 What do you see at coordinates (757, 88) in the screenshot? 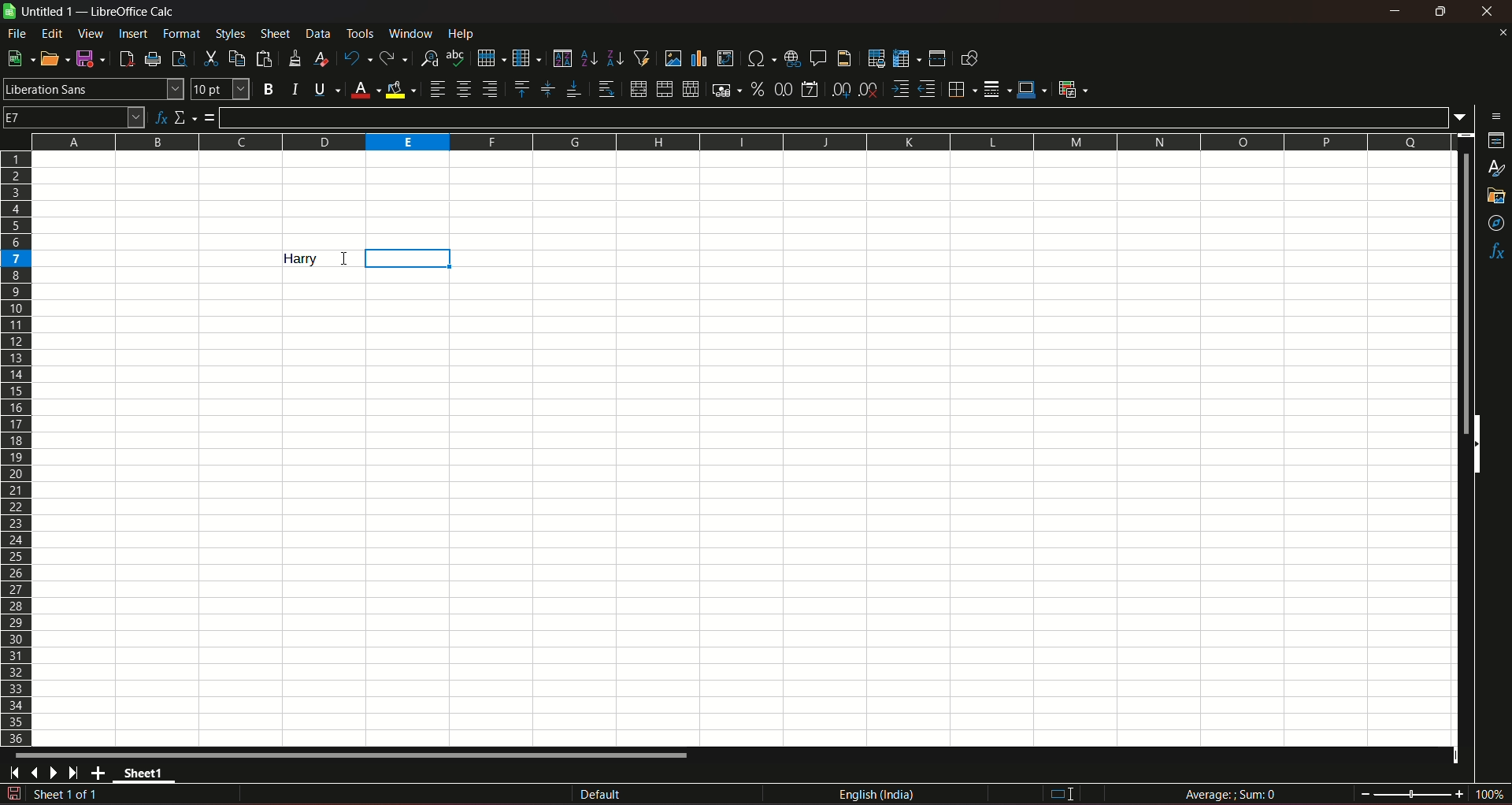
I see `format as percent` at bounding box center [757, 88].